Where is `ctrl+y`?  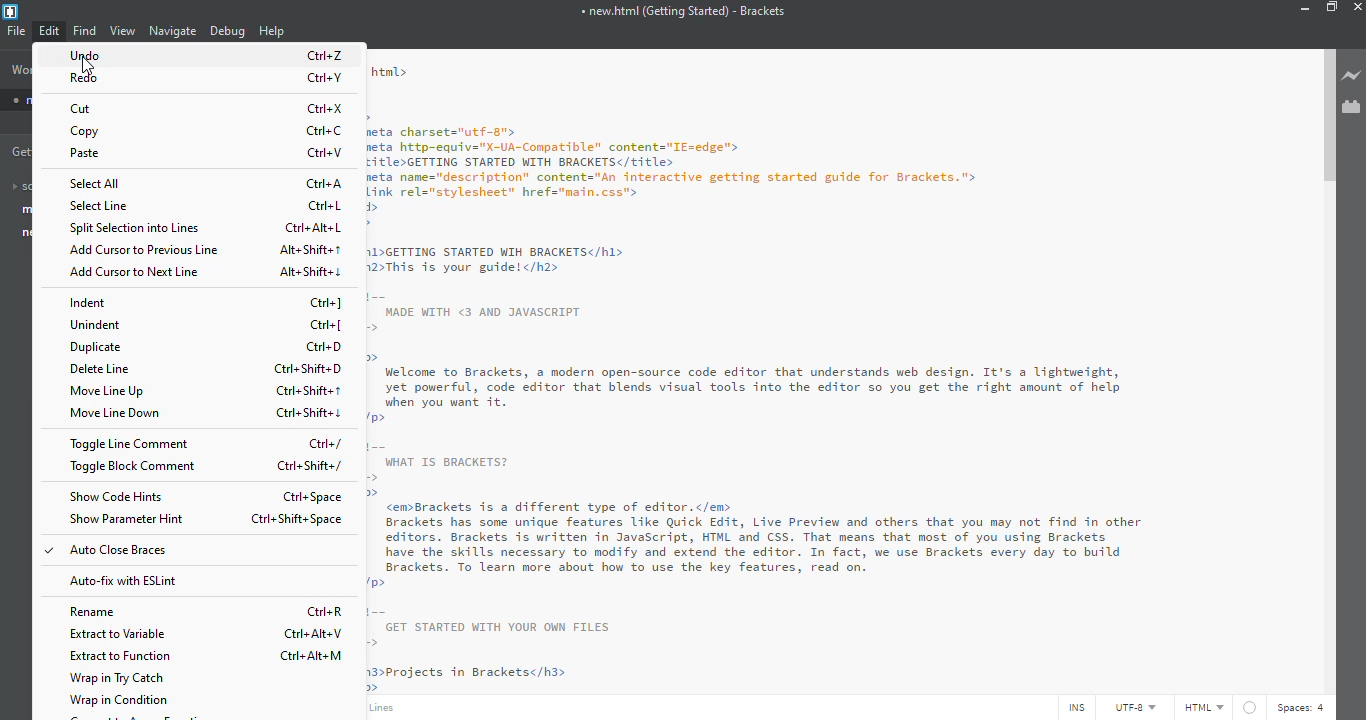 ctrl+y is located at coordinates (326, 78).